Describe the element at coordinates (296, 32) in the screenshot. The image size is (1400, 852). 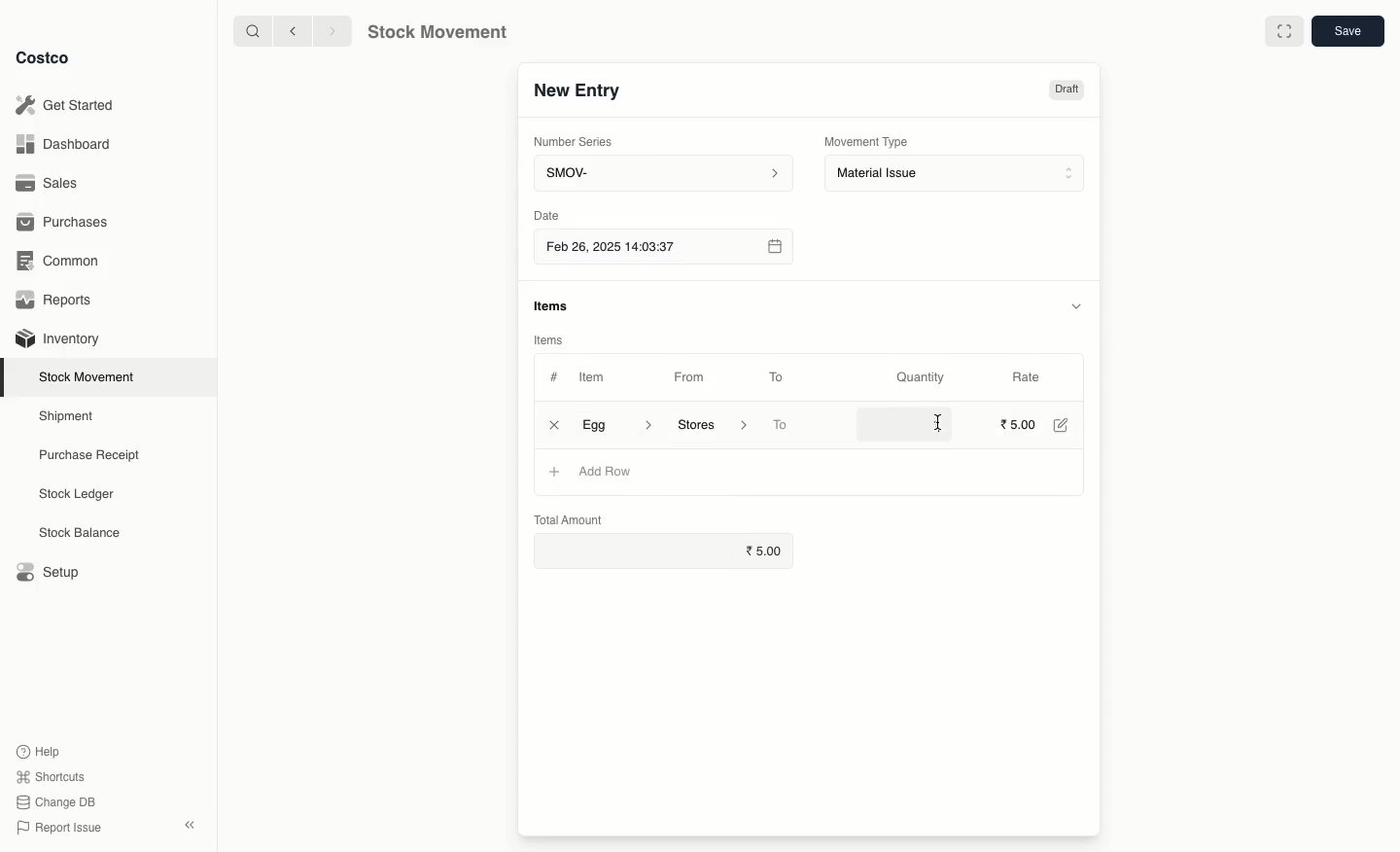
I see `backward` at that location.